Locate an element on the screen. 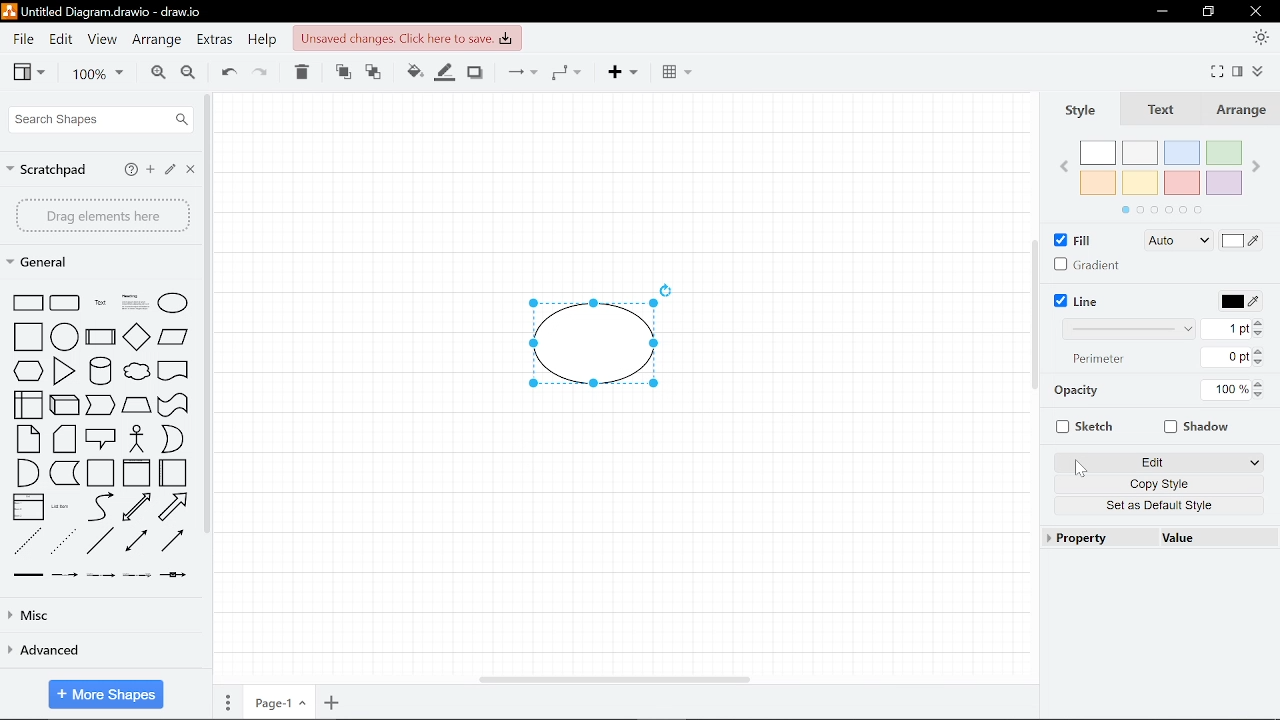  edit  is located at coordinates (170, 167).